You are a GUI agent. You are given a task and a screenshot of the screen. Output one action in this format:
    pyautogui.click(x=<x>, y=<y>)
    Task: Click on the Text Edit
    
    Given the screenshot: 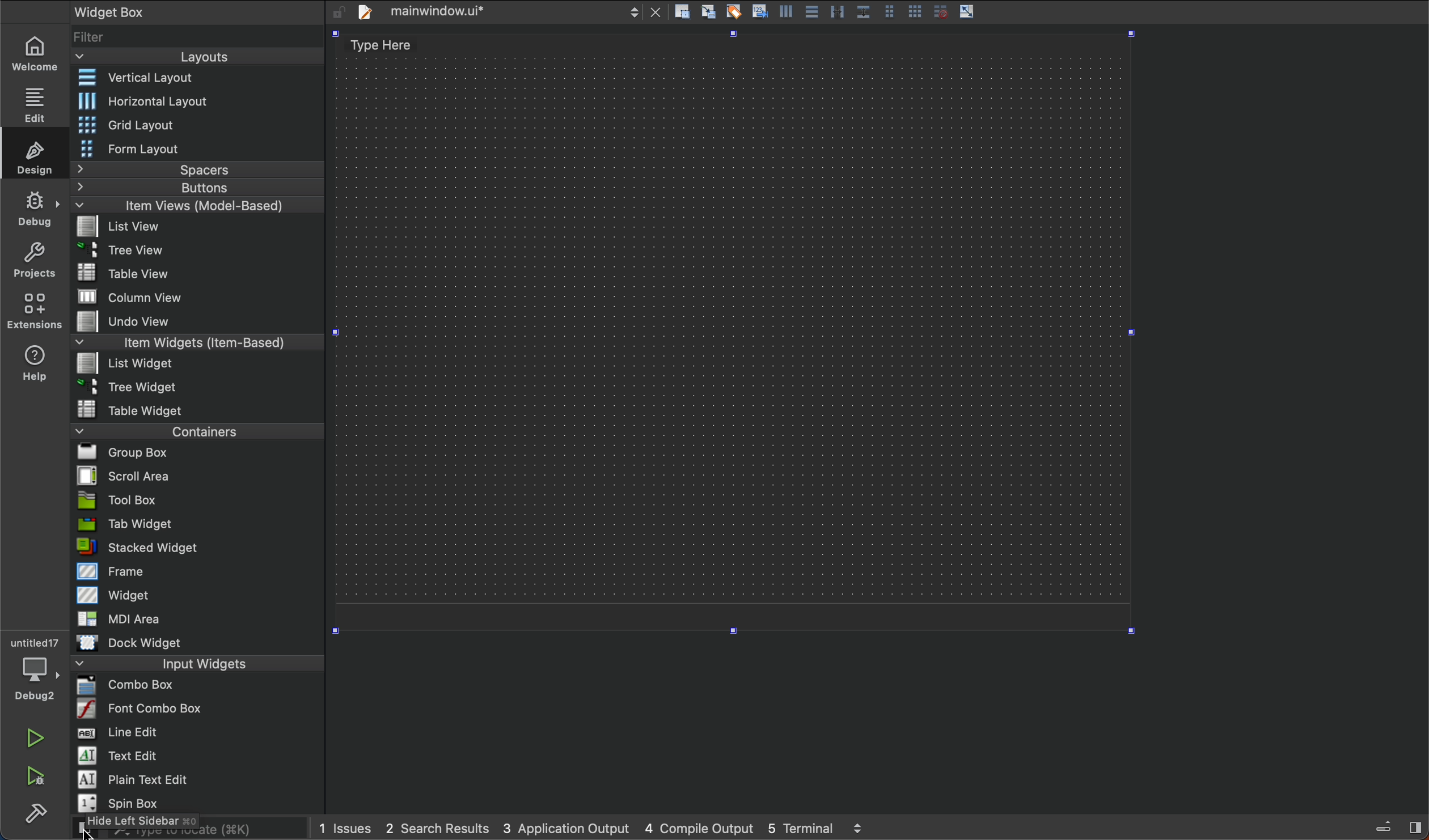 What is the action you would take?
    pyautogui.click(x=121, y=757)
    